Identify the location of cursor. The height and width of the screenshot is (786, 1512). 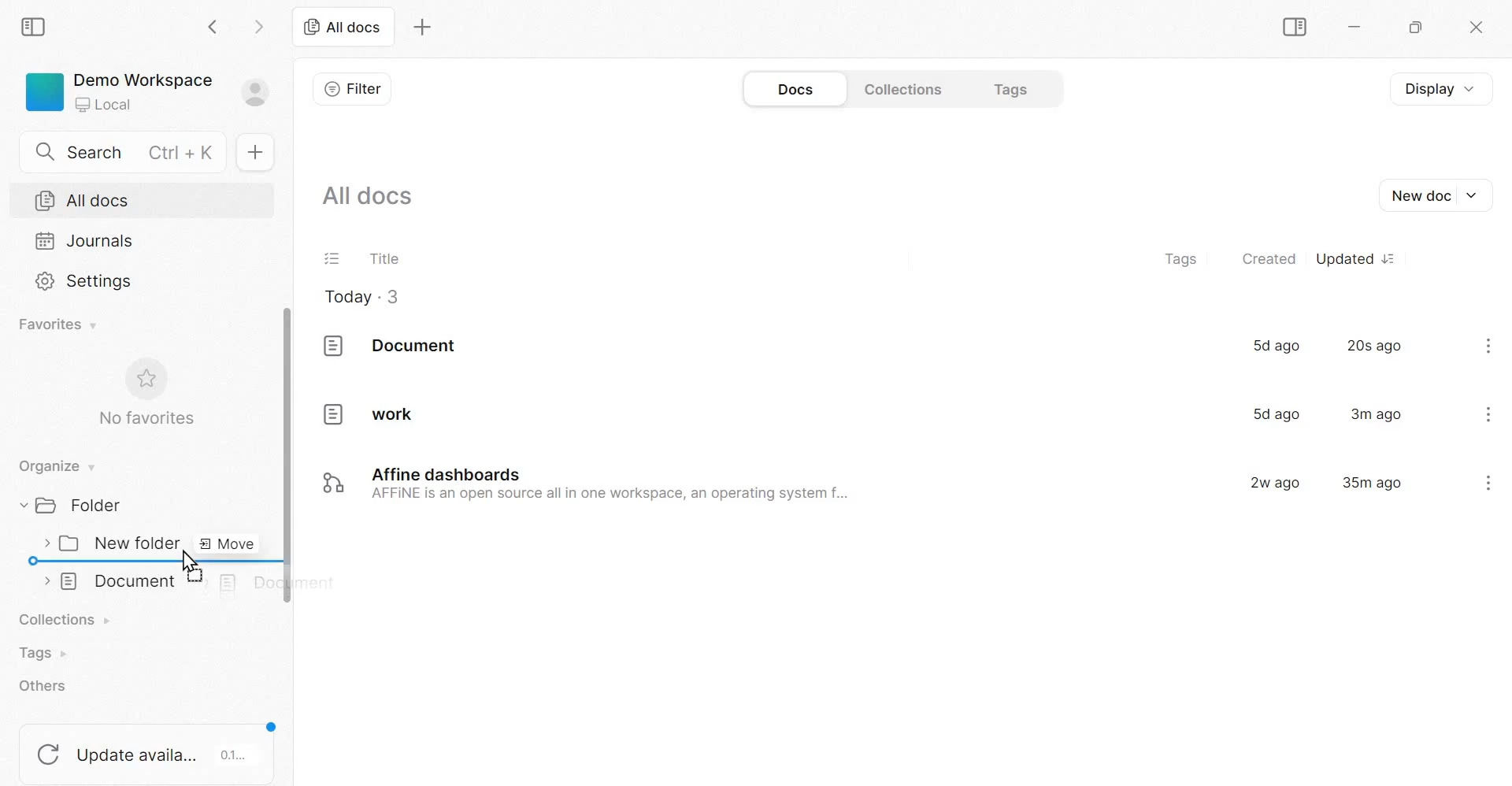
(187, 560).